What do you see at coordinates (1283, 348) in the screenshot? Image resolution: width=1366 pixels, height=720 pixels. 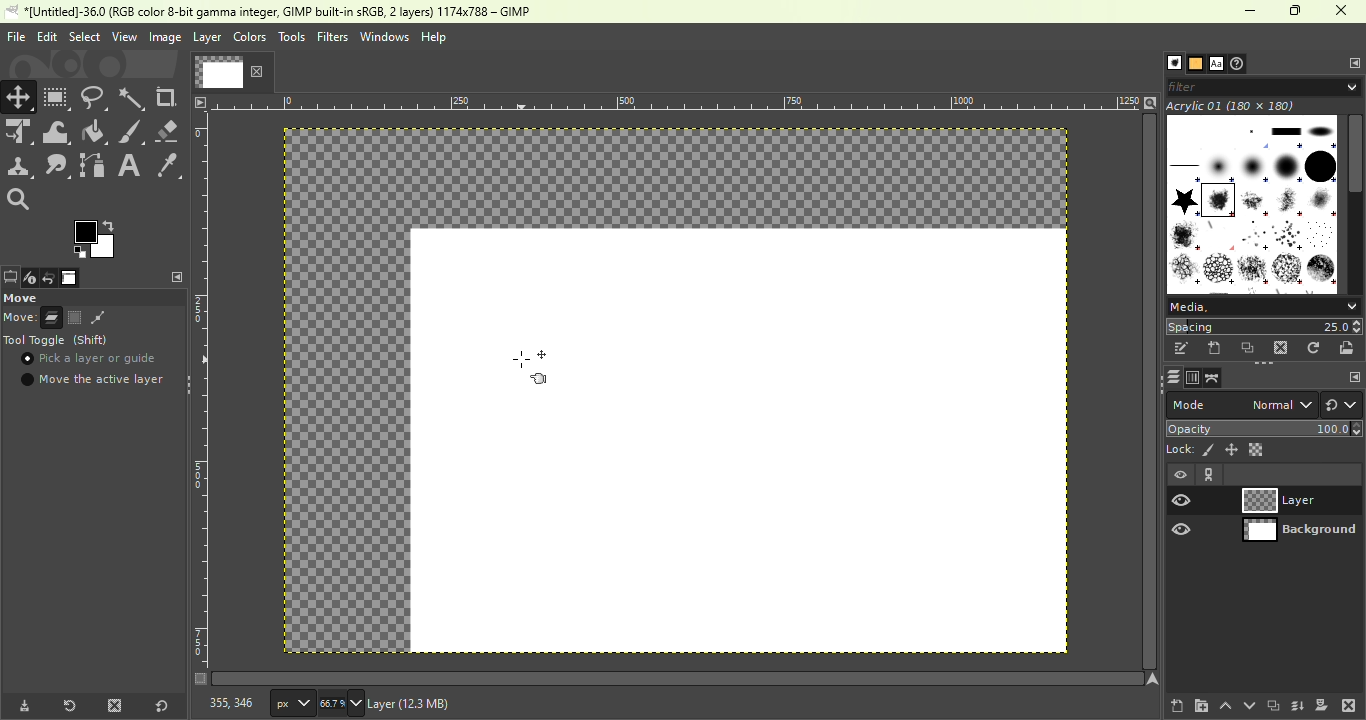 I see `Delete the brushes` at bounding box center [1283, 348].